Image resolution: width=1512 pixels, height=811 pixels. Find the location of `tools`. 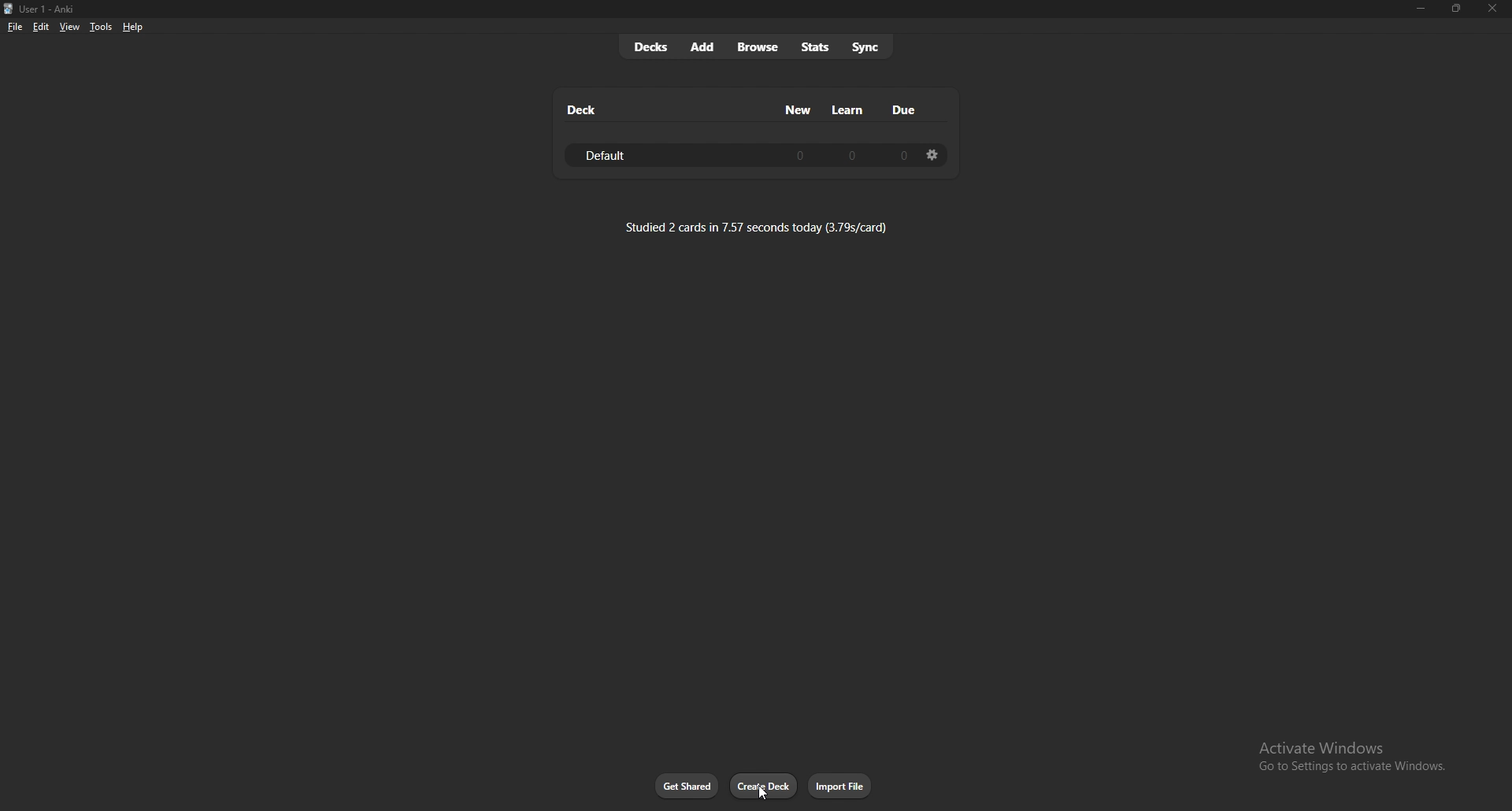

tools is located at coordinates (101, 27).